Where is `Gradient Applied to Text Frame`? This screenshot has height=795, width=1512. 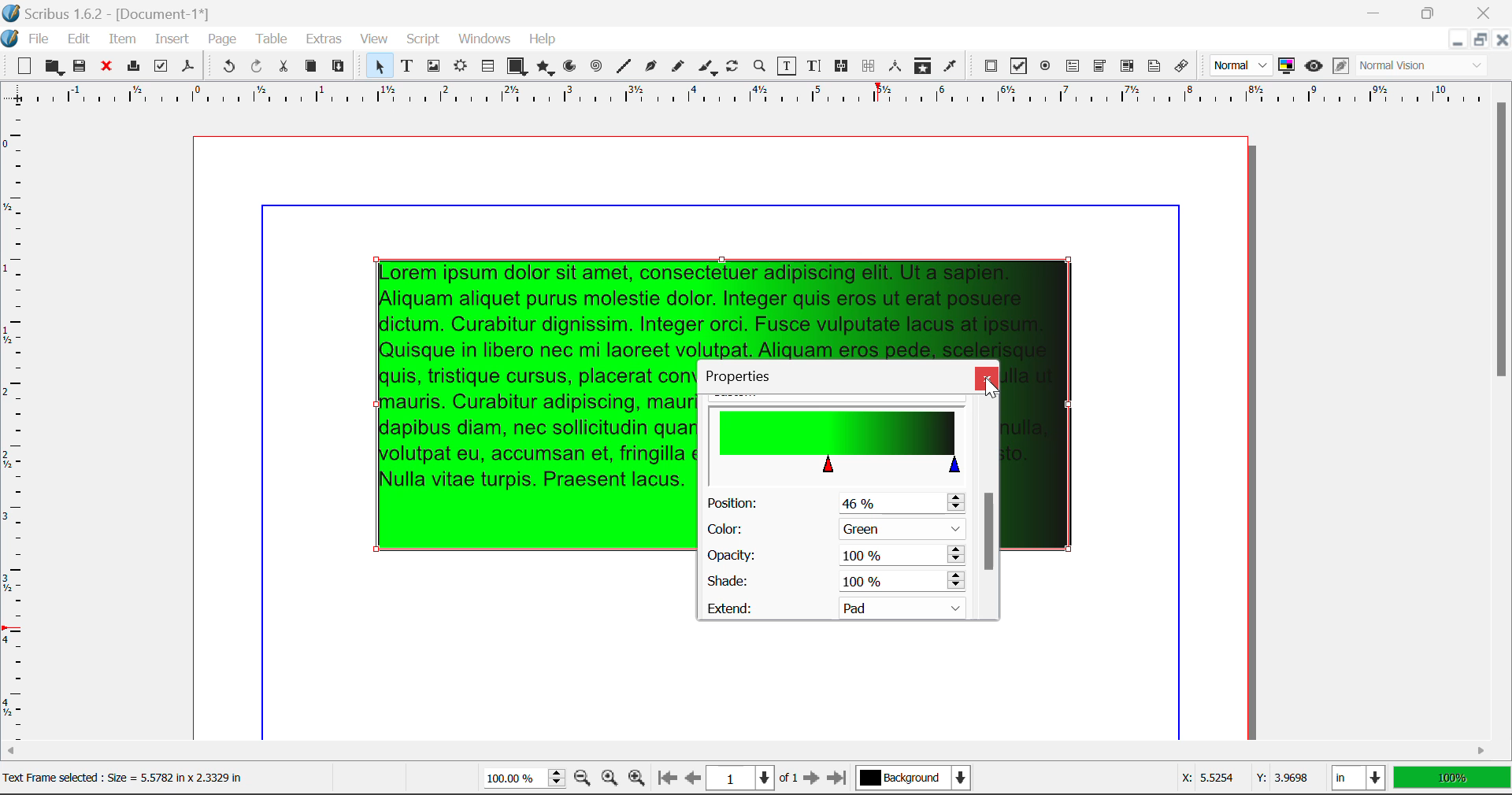
Gradient Applied to Text Frame is located at coordinates (726, 310).